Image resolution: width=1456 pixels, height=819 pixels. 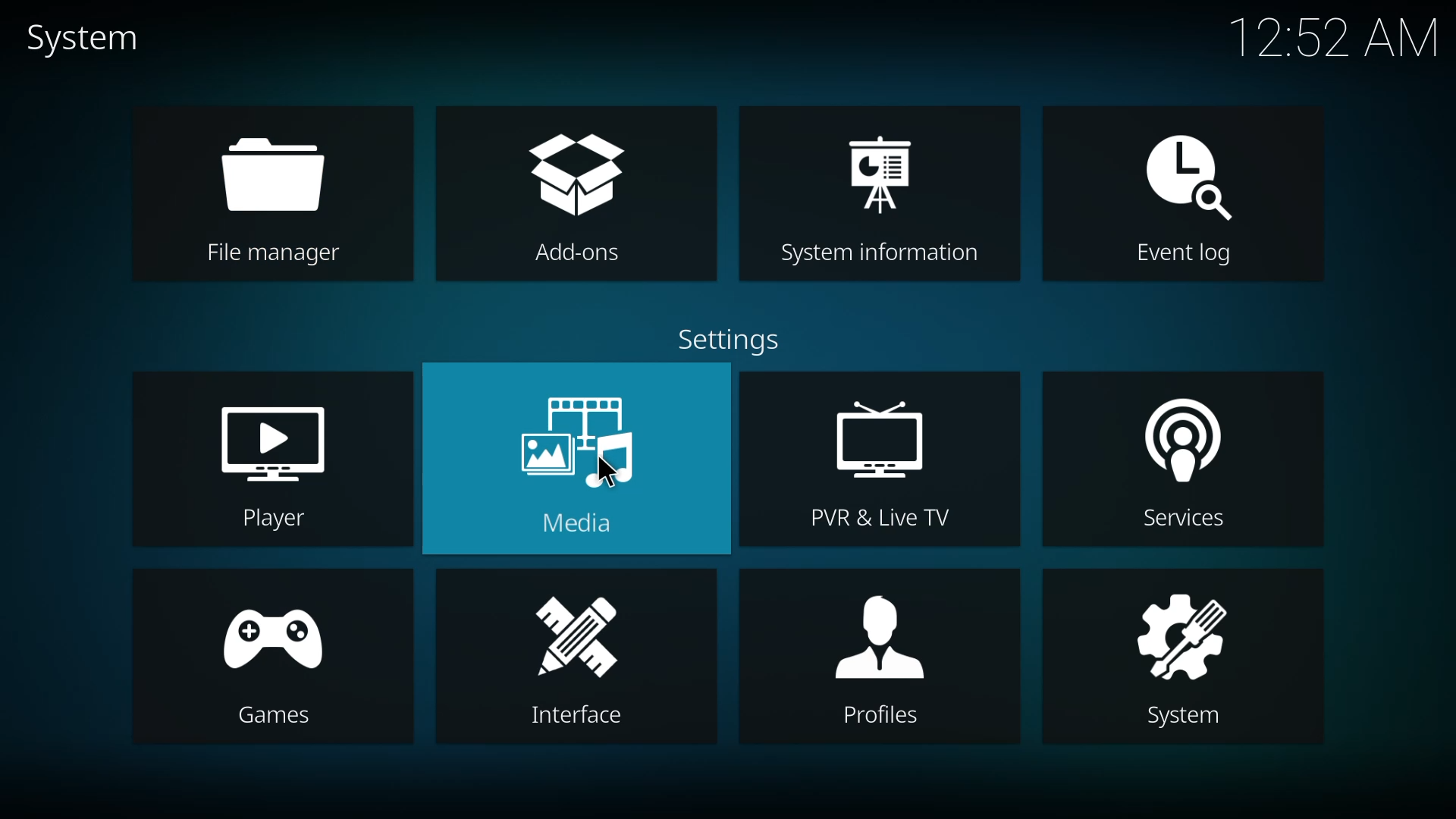 What do you see at coordinates (866, 519) in the screenshot?
I see `PVR & Live TV` at bounding box center [866, 519].